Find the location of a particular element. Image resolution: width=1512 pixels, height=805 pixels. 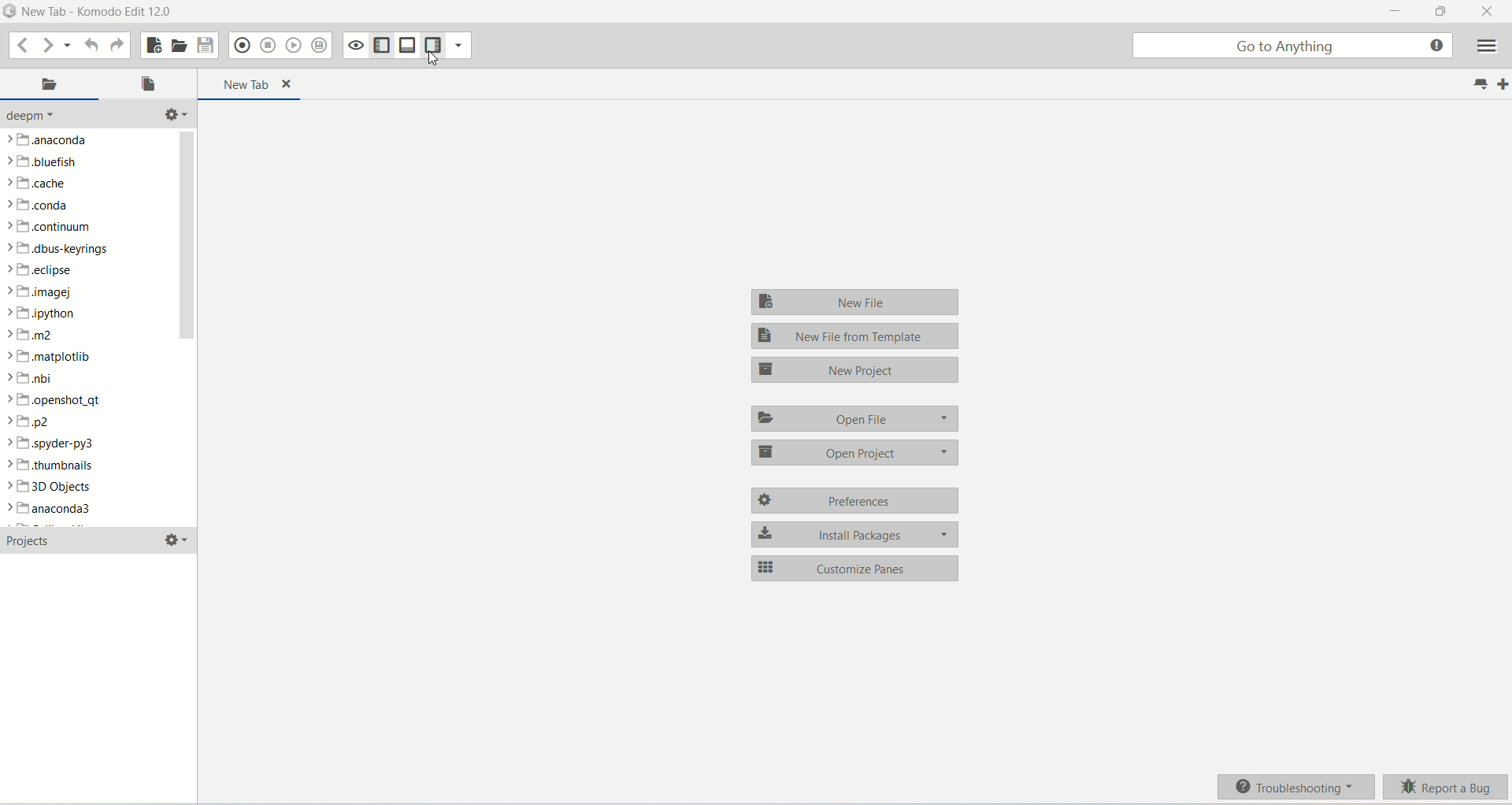

new tab is located at coordinates (252, 83).